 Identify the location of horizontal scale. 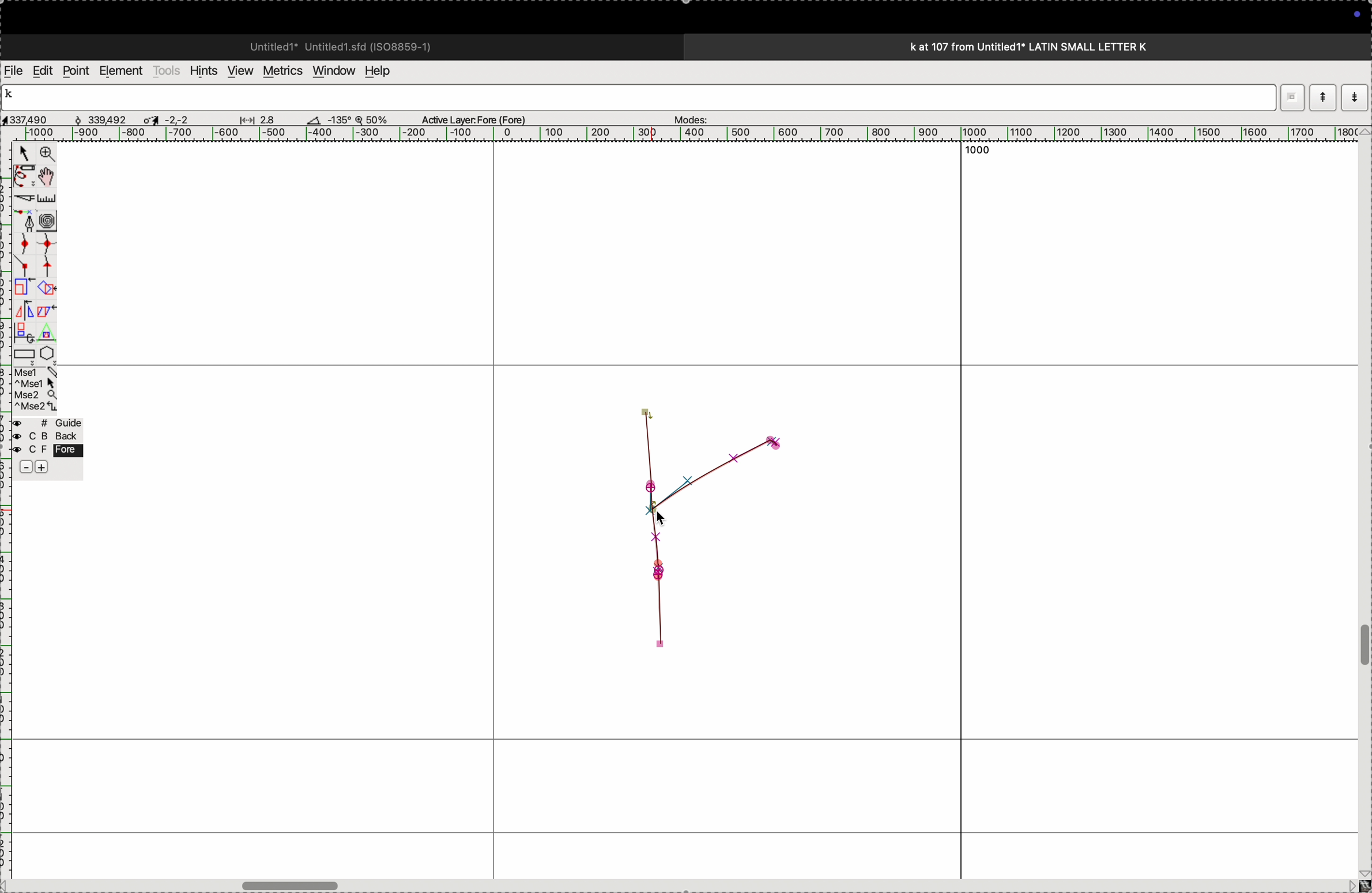
(673, 134).